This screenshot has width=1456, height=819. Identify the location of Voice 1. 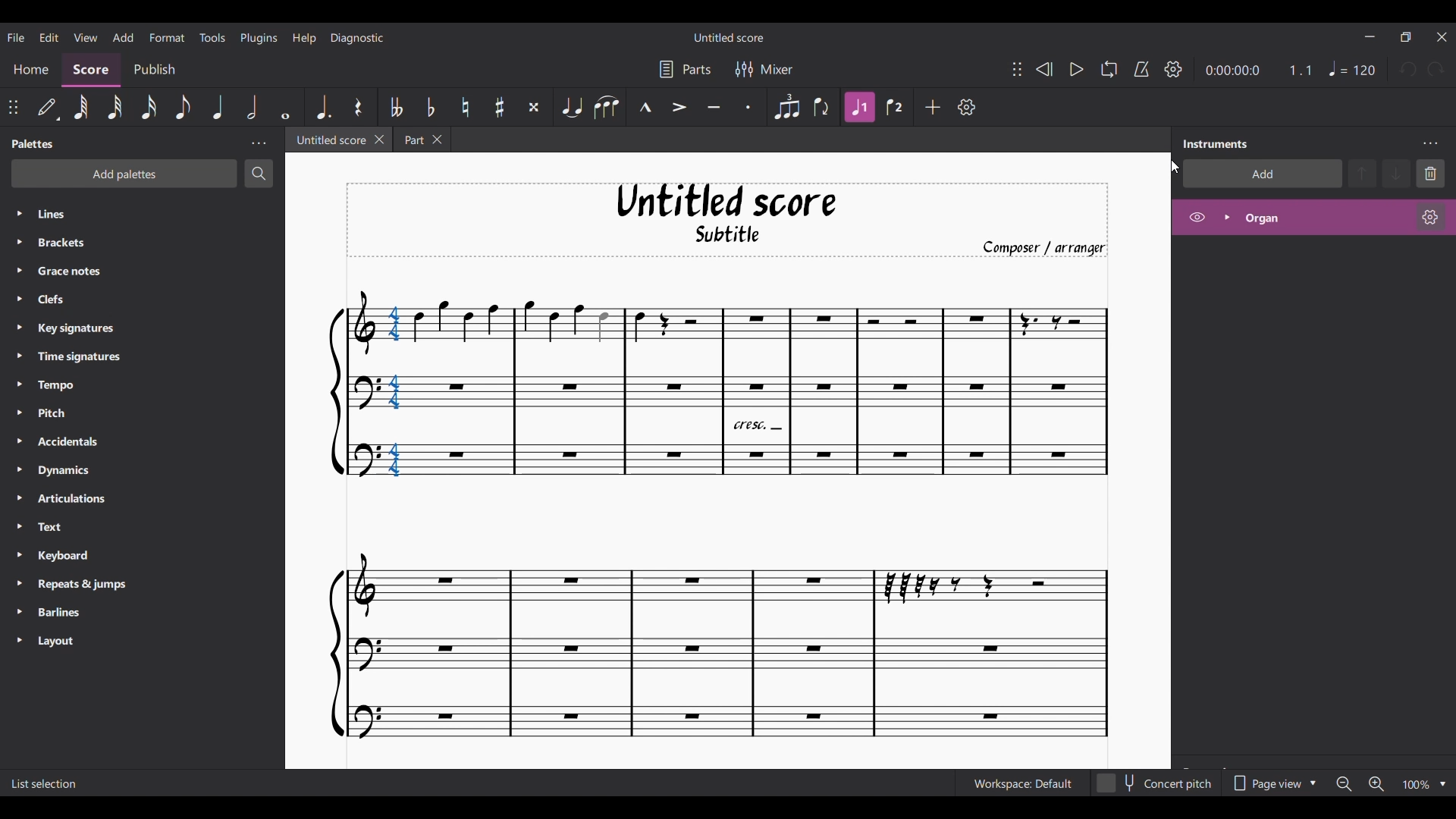
(859, 107).